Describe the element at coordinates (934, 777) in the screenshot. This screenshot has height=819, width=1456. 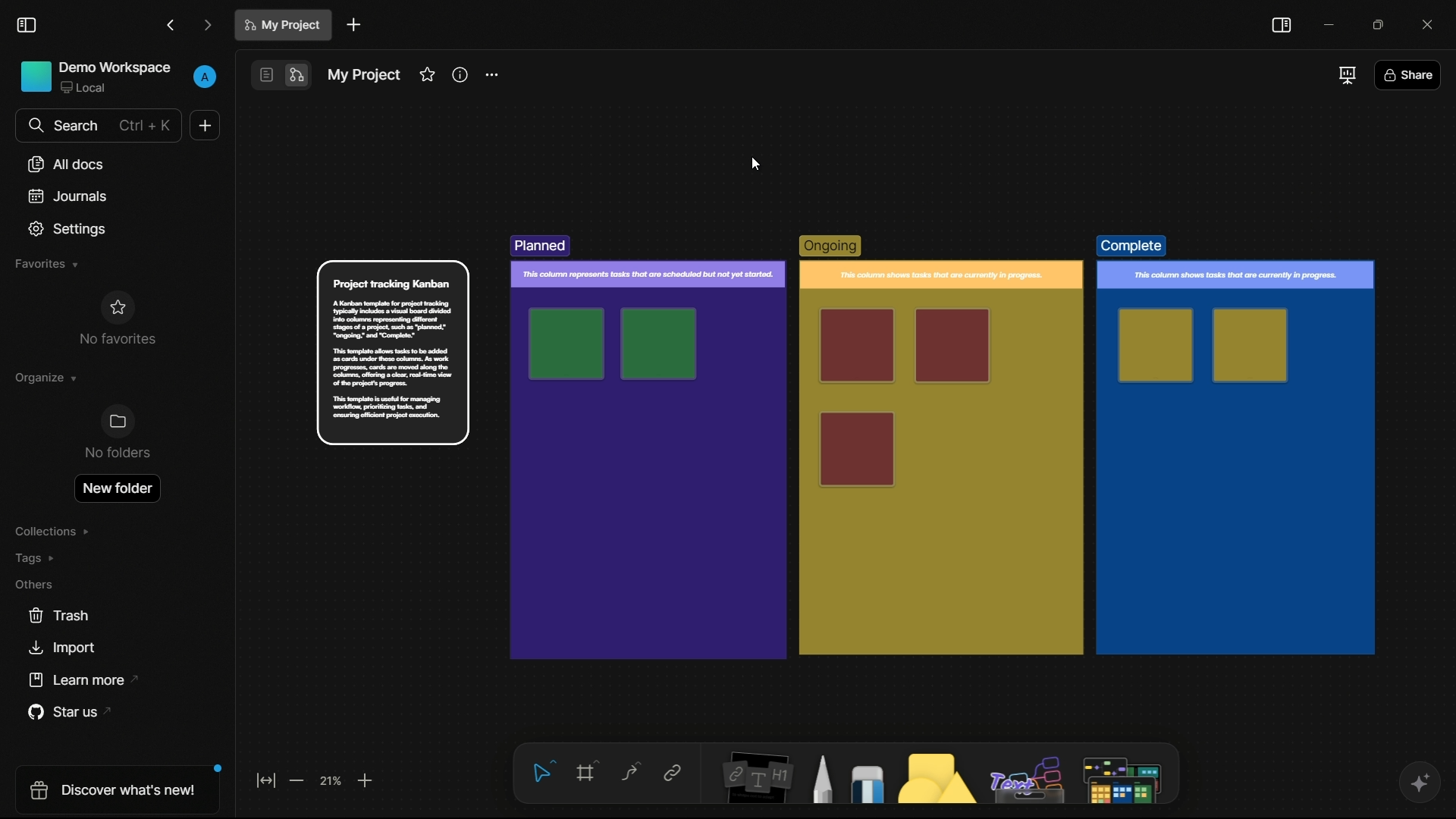
I see `shapes` at that location.